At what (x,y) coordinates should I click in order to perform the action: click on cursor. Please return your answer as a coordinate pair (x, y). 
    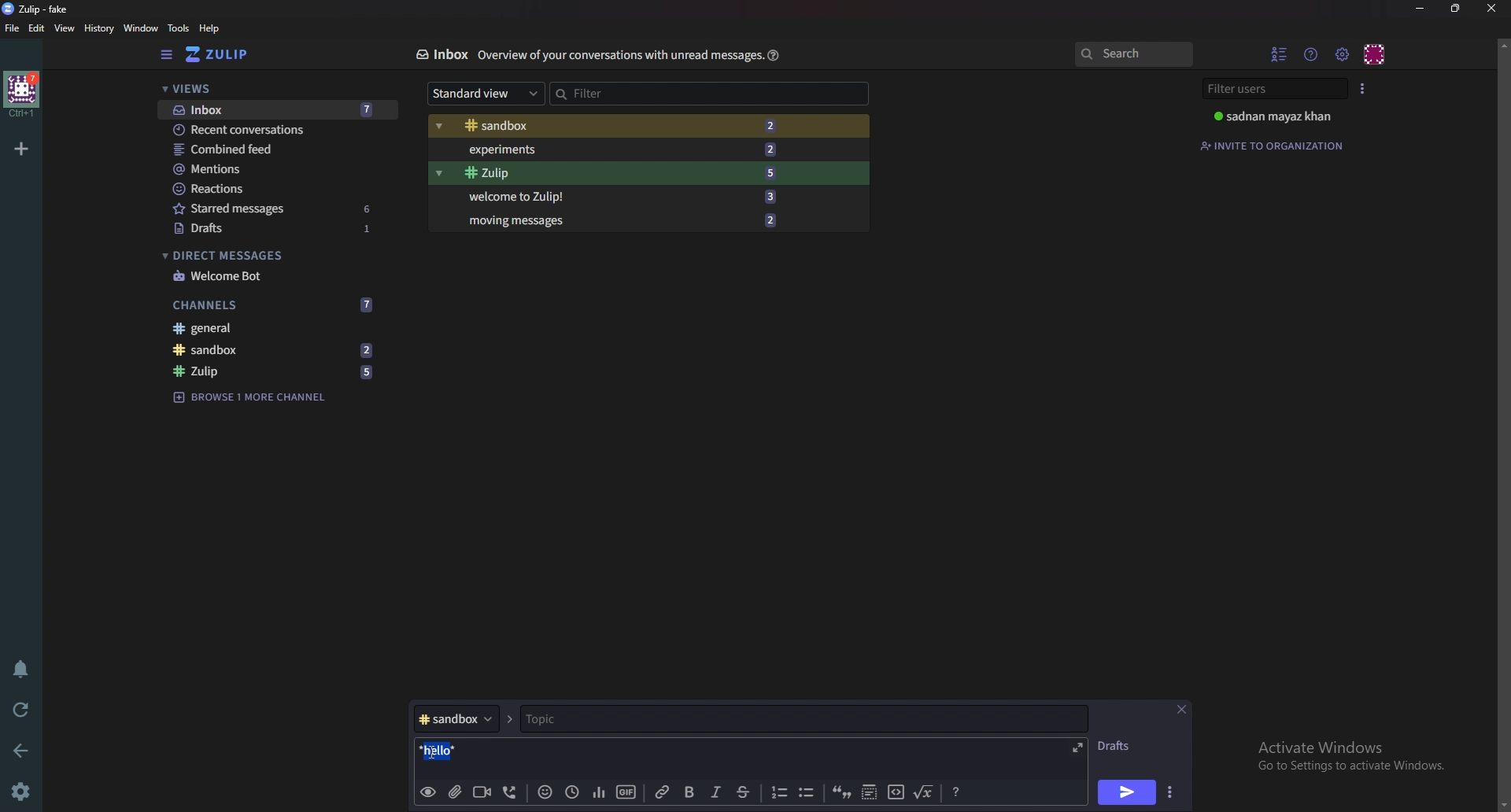
    Looking at the image, I should click on (439, 751).